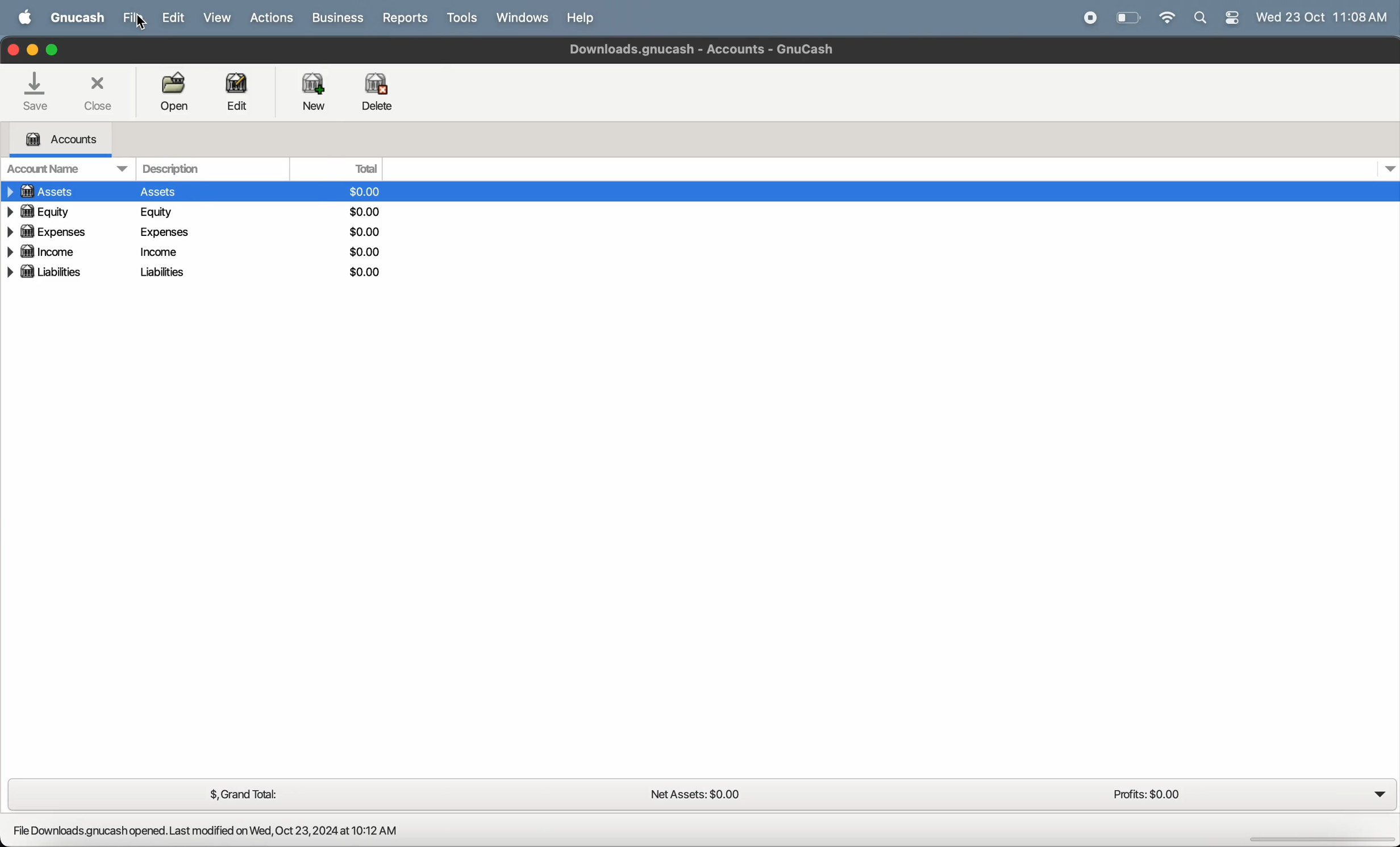 Image resolution: width=1400 pixels, height=847 pixels. I want to click on accounts, so click(56, 139).